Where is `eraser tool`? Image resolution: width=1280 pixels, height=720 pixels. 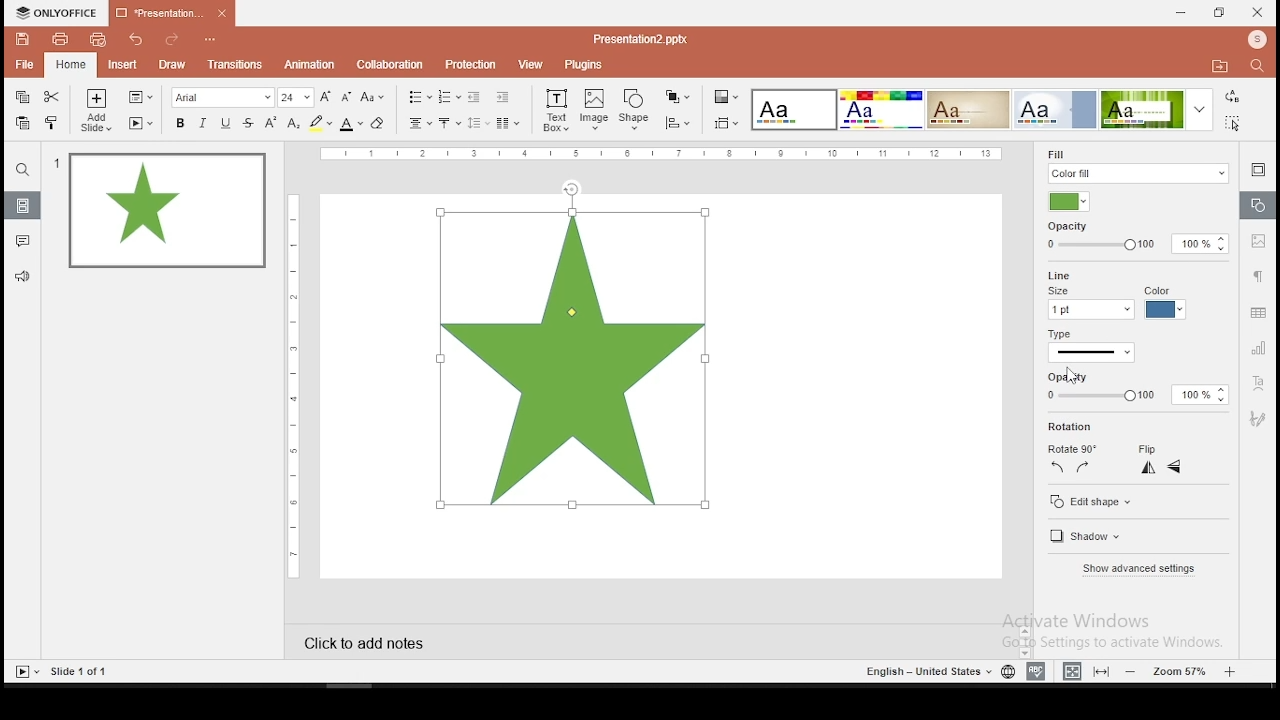 eraser tool is located at coordinates (377, 124).